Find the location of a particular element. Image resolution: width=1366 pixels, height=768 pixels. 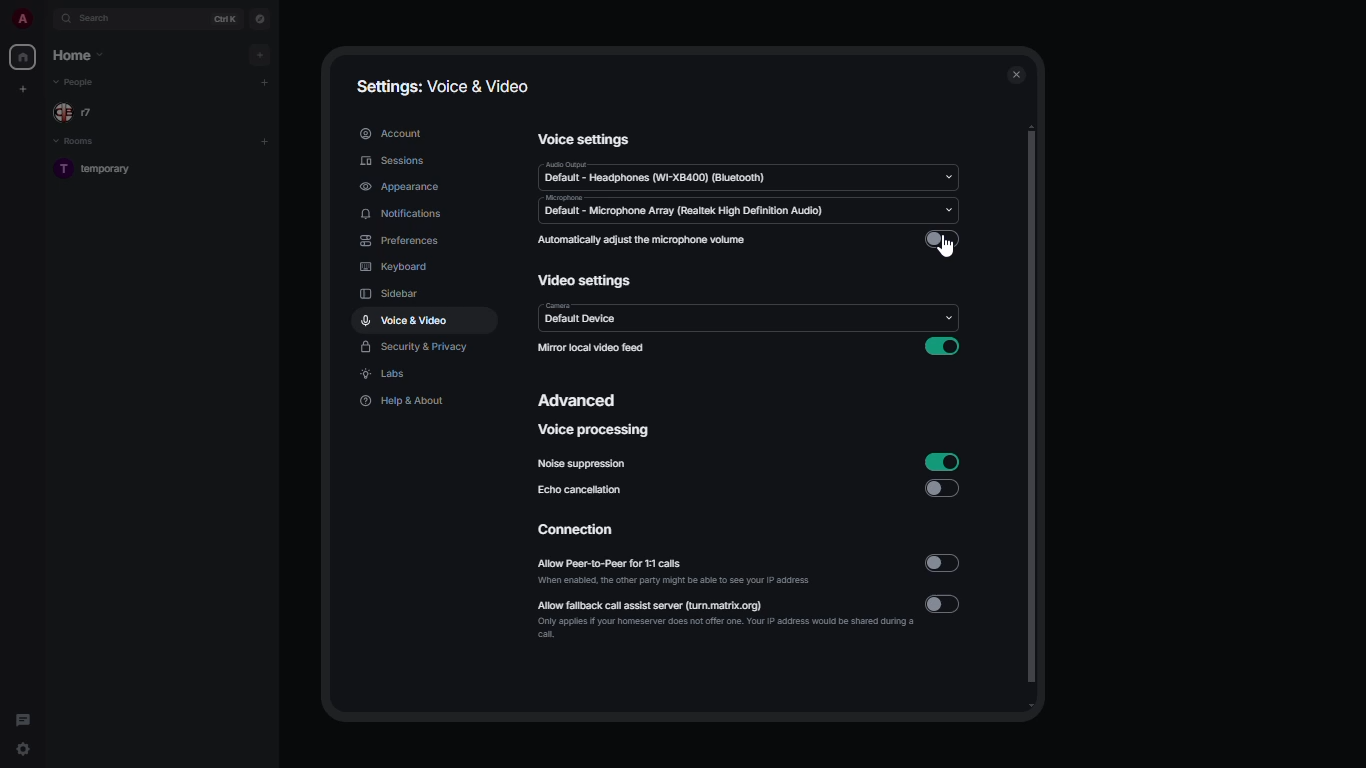

preferences is located at coordinates (402, 242).